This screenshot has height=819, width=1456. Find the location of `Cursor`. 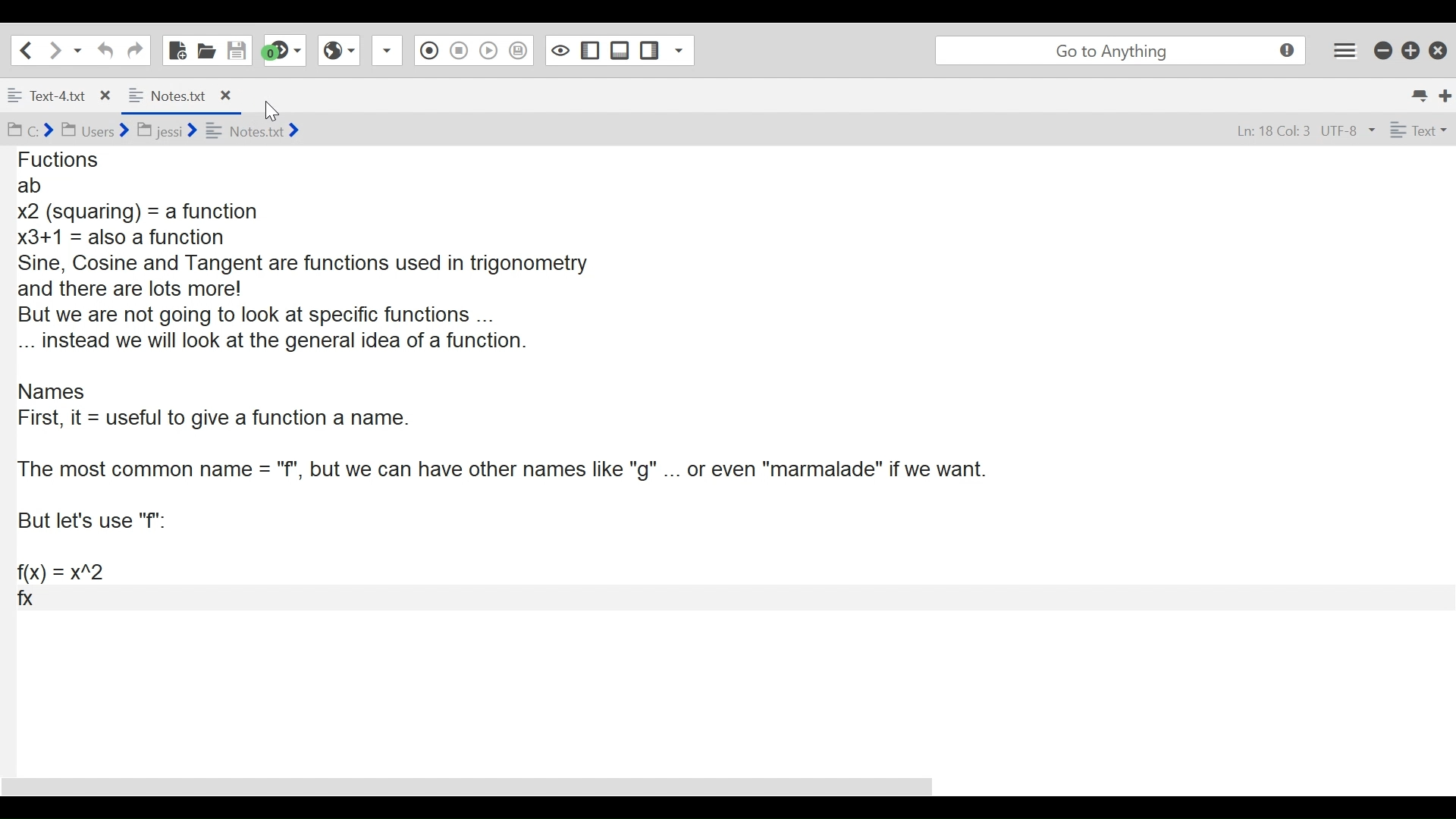

Cursor is located at coordinates (277, 112).